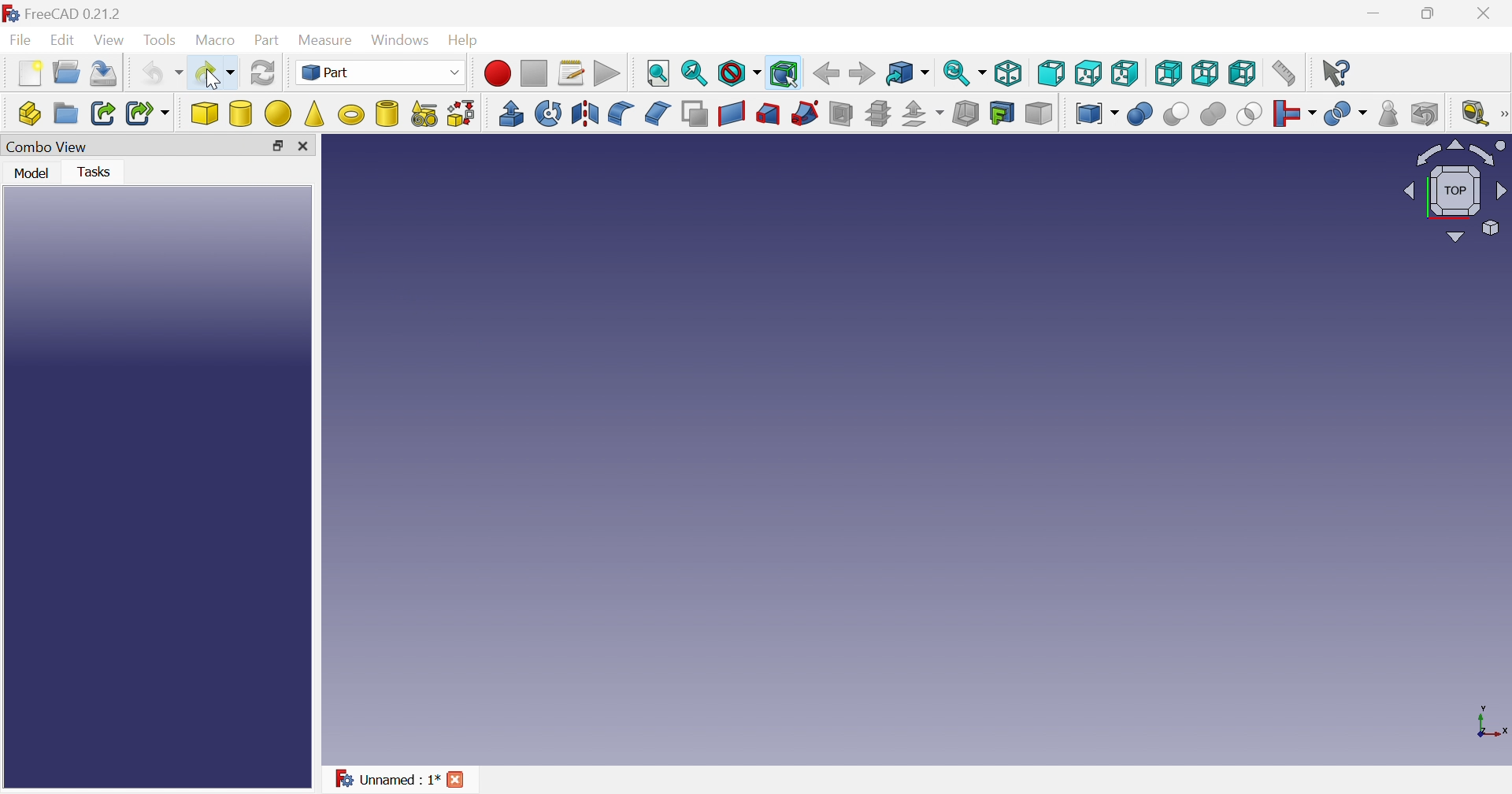 The height and width of the screenshot is (794, 1512). Describe the element at coordinates (34, 175) in the screenshot. I see `Model` at that location.